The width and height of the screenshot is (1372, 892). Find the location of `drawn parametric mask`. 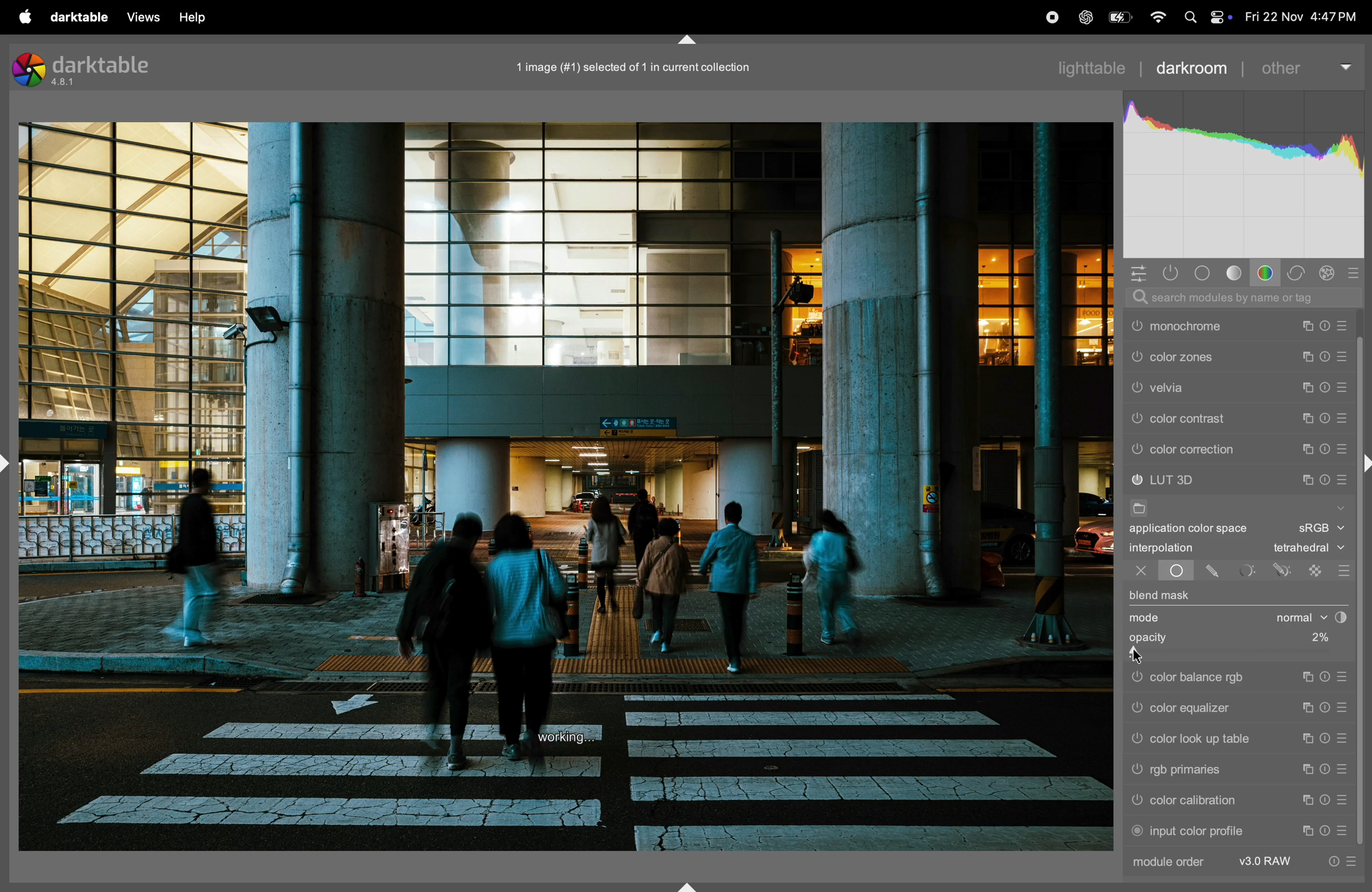

drawn parametric mask is located at coordinates (1283, 570).